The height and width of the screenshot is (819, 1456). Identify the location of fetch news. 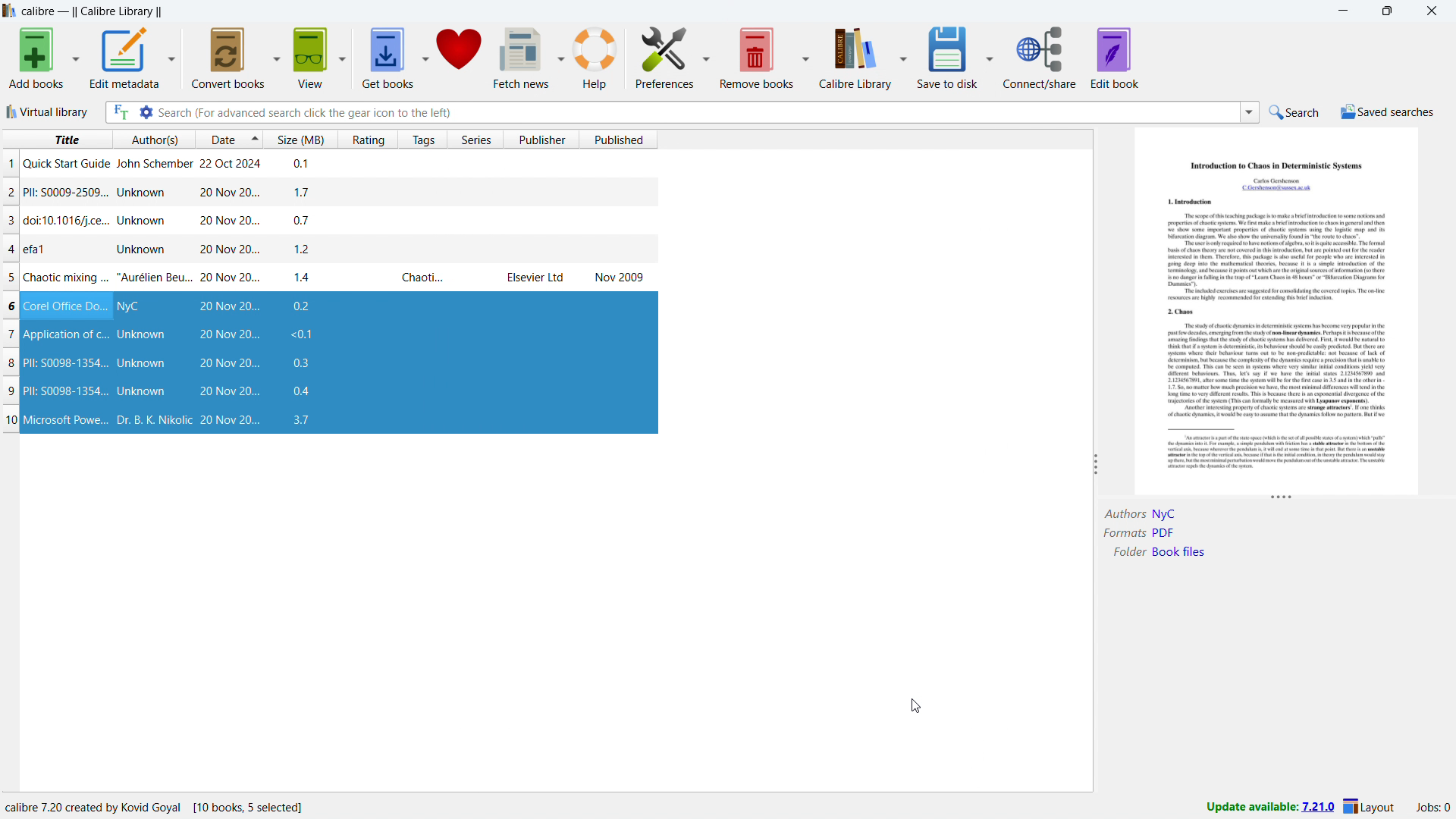
(521, 58).